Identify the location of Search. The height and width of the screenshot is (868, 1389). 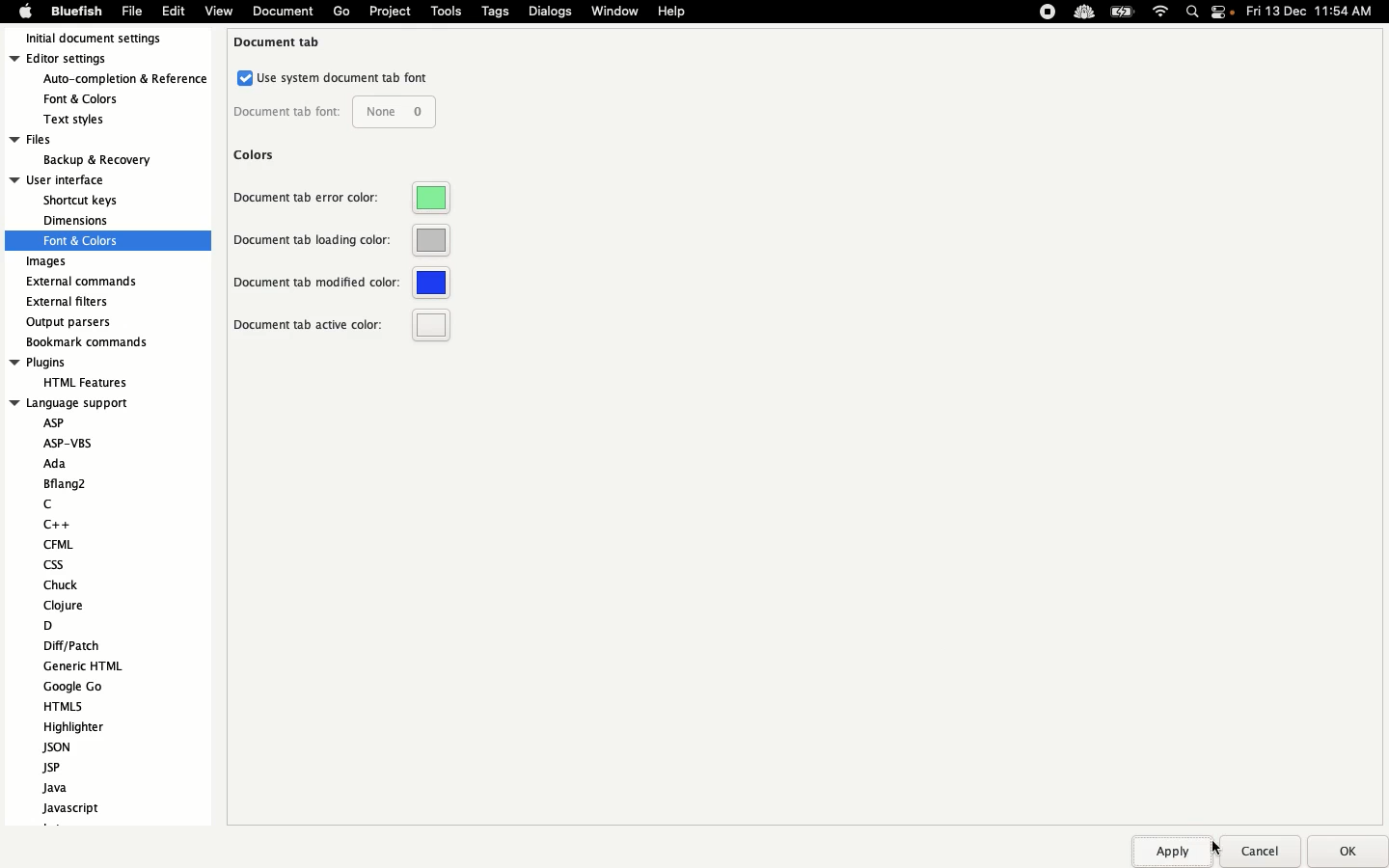
(1193, 14).